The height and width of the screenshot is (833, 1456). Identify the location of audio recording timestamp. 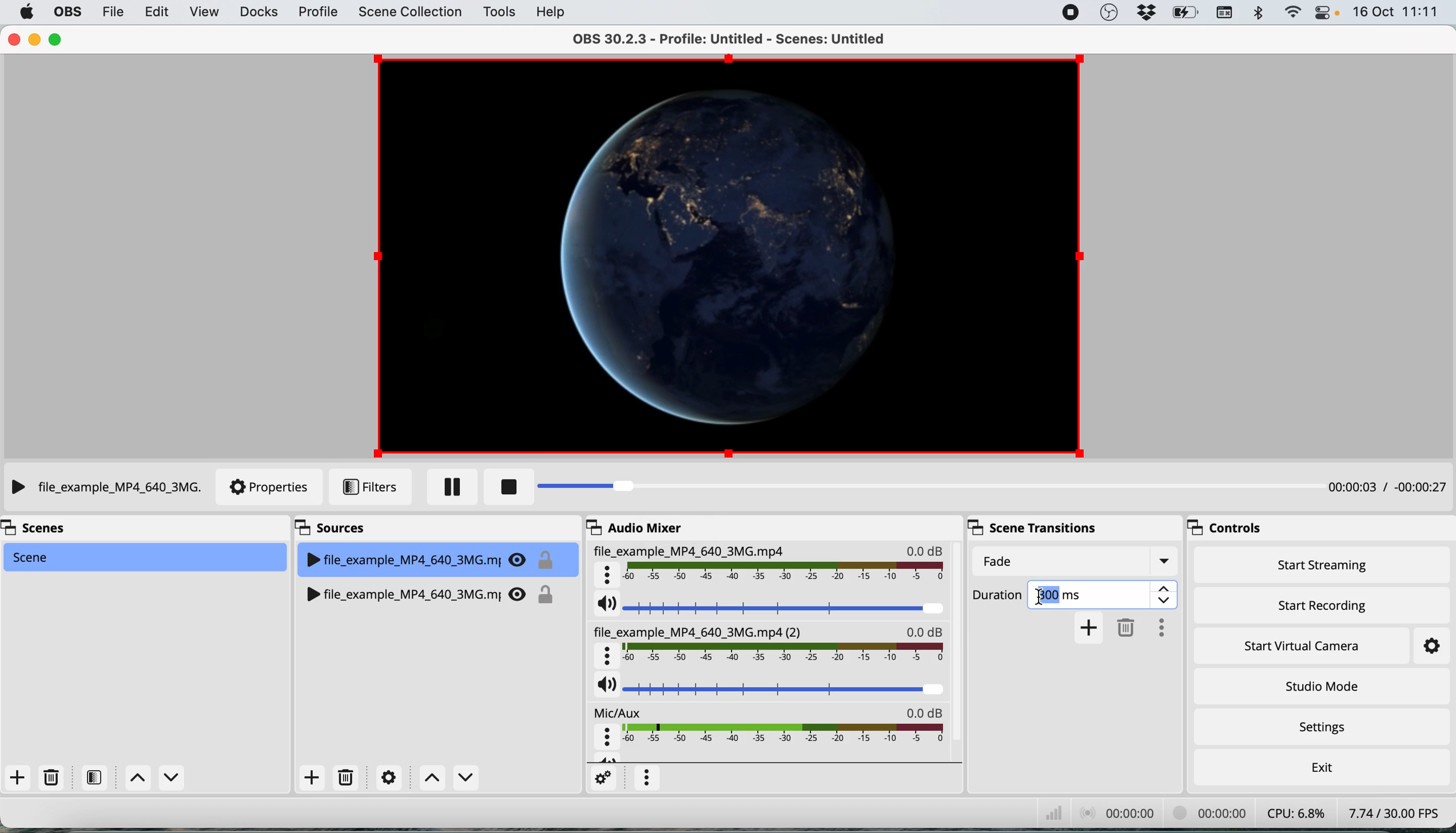
(1109, 813).